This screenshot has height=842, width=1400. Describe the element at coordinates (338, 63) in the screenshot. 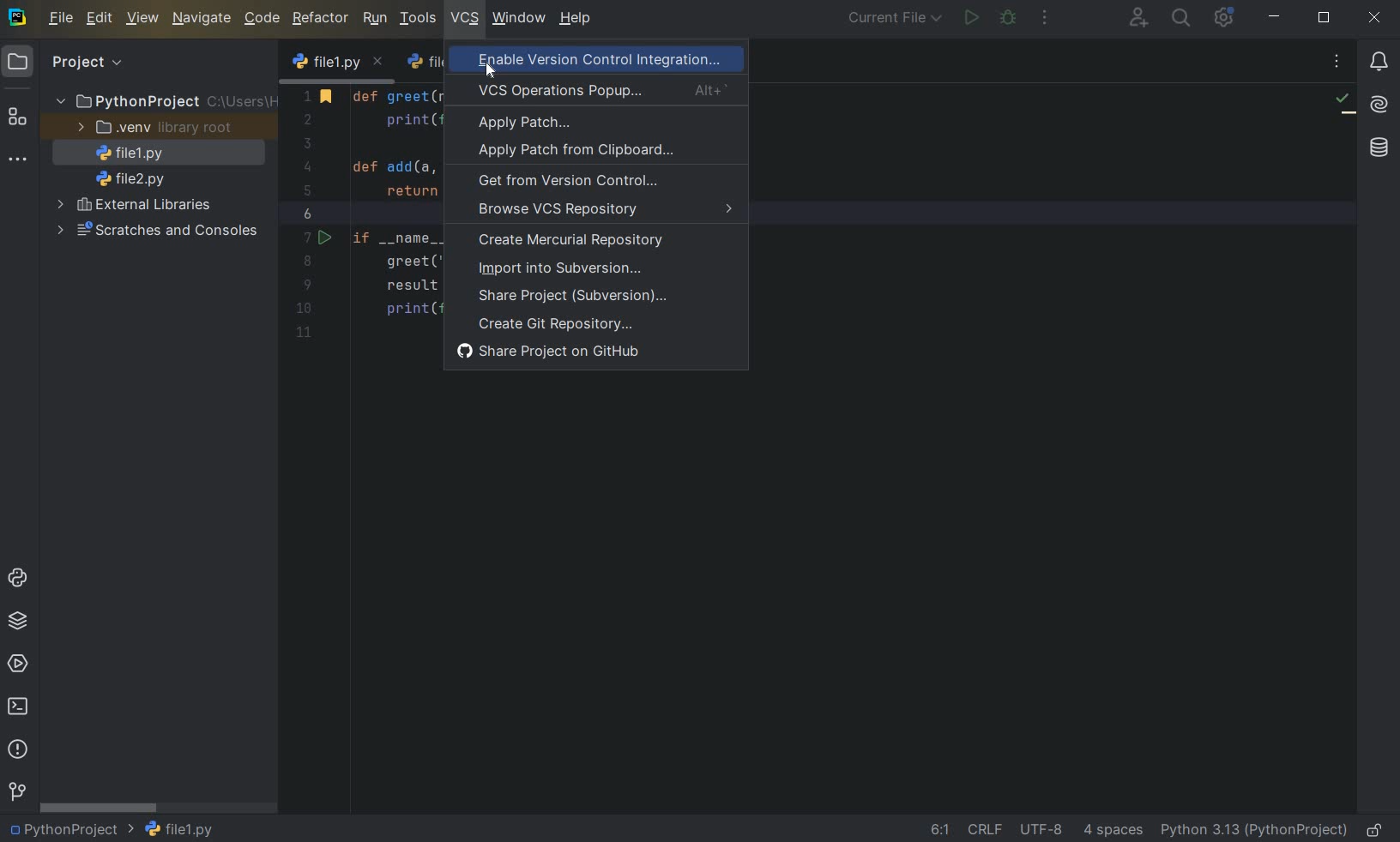

I see `file name 1` at that location.